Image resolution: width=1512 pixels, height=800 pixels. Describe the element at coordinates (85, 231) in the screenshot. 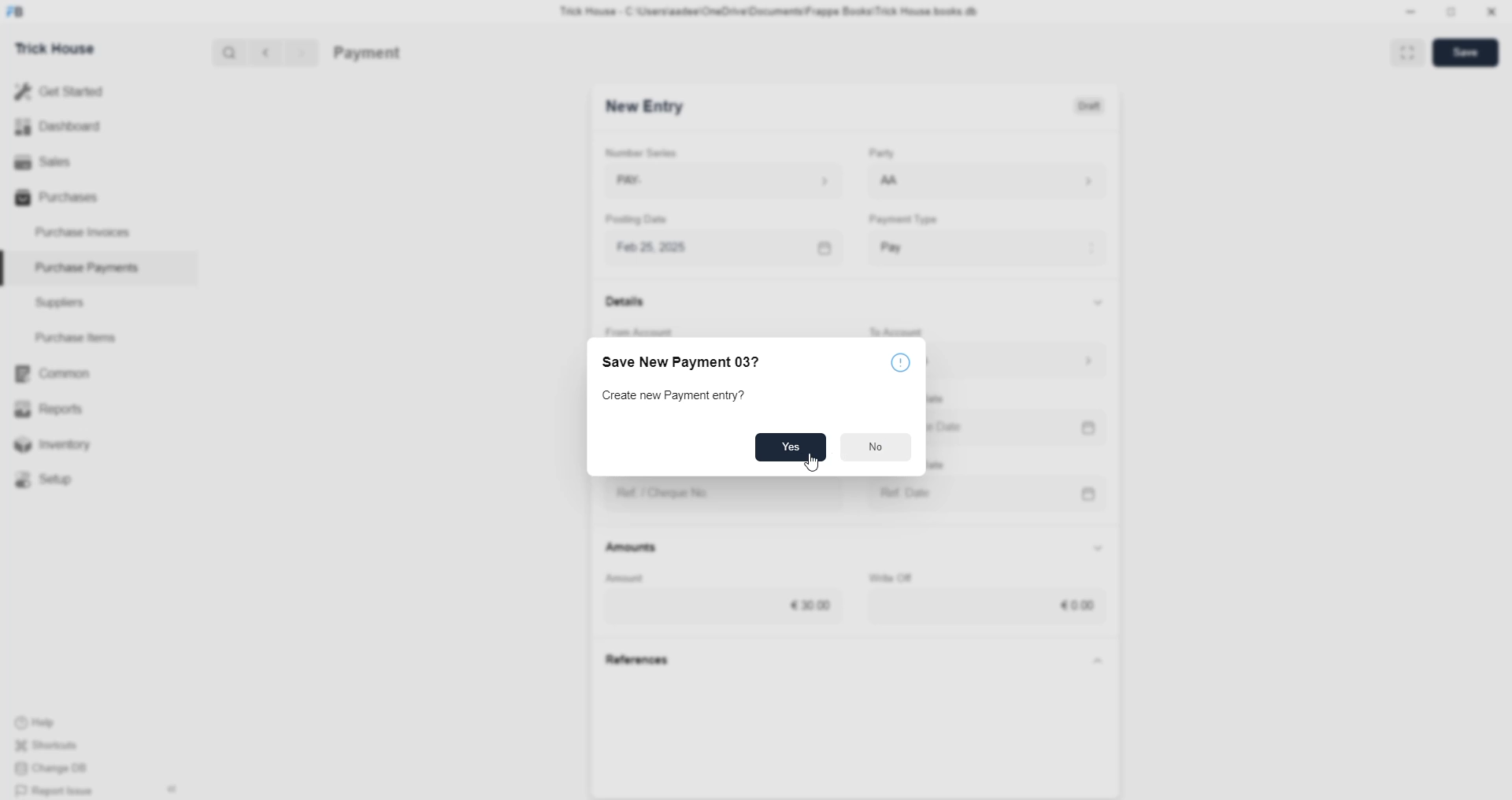

I see `Purchase Invoices` at that location.